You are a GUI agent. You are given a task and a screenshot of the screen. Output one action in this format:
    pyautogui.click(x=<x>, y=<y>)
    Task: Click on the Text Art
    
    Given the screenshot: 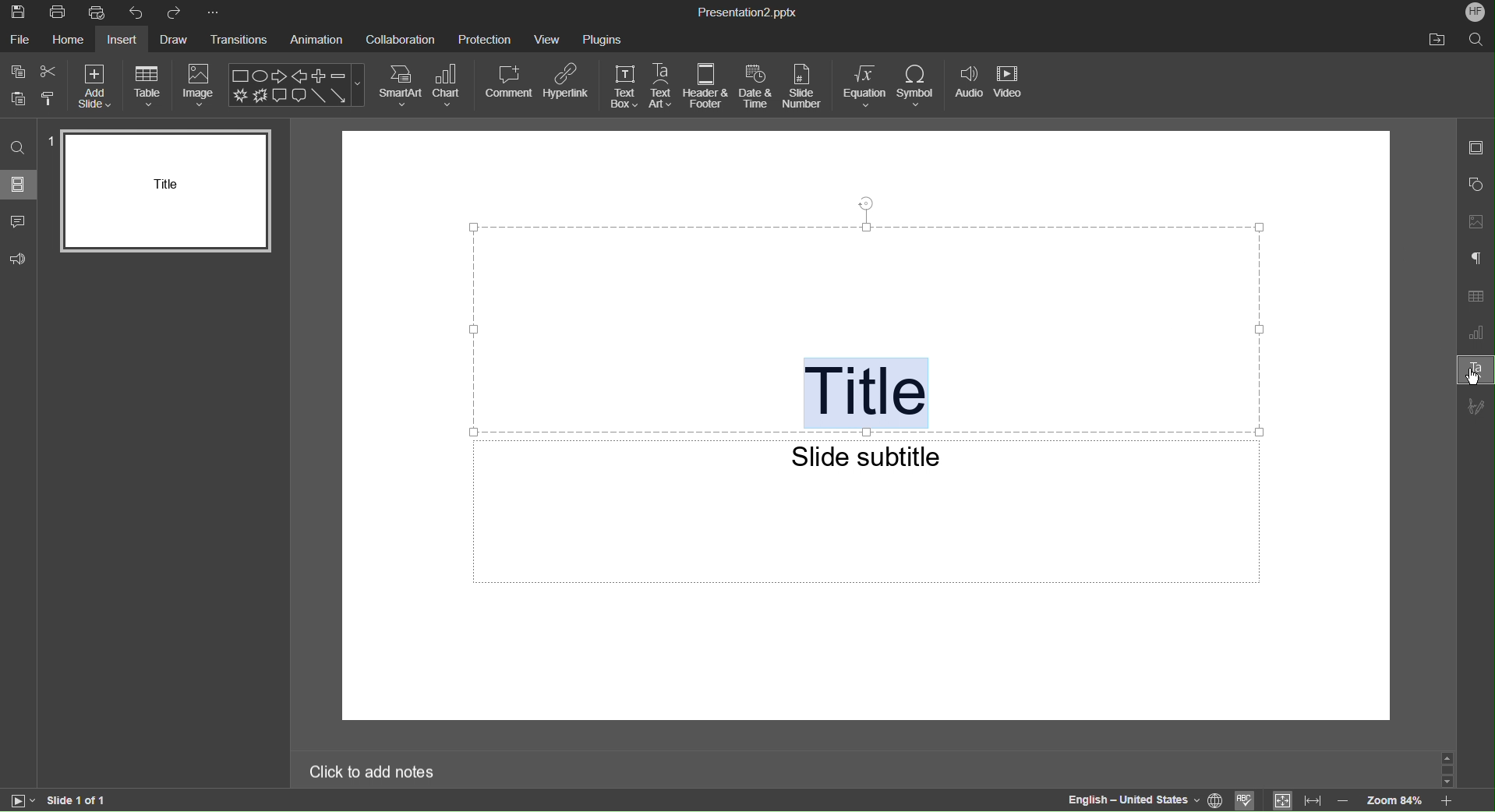 What is the action you would take?
    pyautogui.click(x=1475, y=369)
    